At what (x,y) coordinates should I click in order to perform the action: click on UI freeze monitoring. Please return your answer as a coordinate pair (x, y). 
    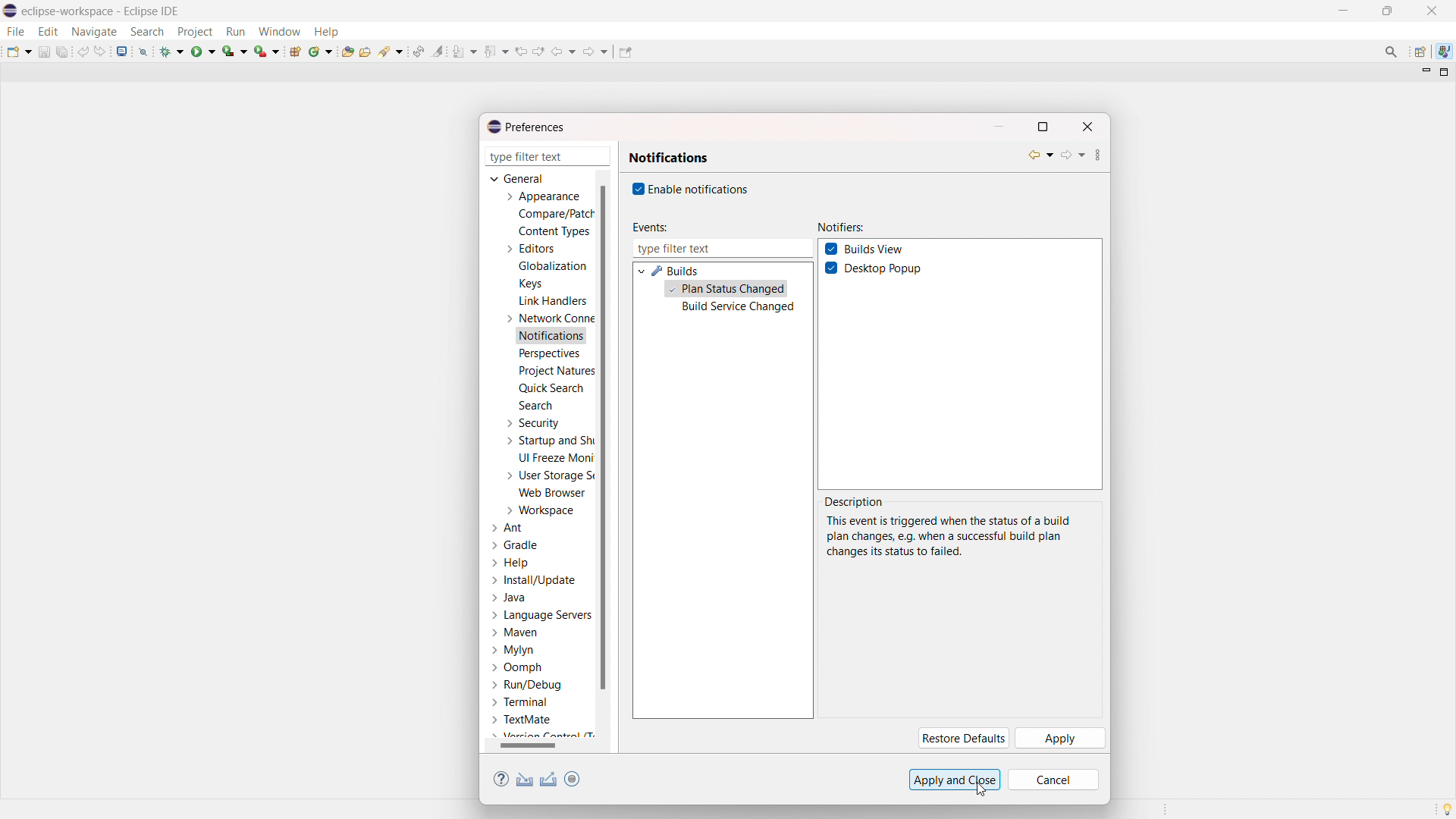
    Looking at the image, I should click on (556, 458).